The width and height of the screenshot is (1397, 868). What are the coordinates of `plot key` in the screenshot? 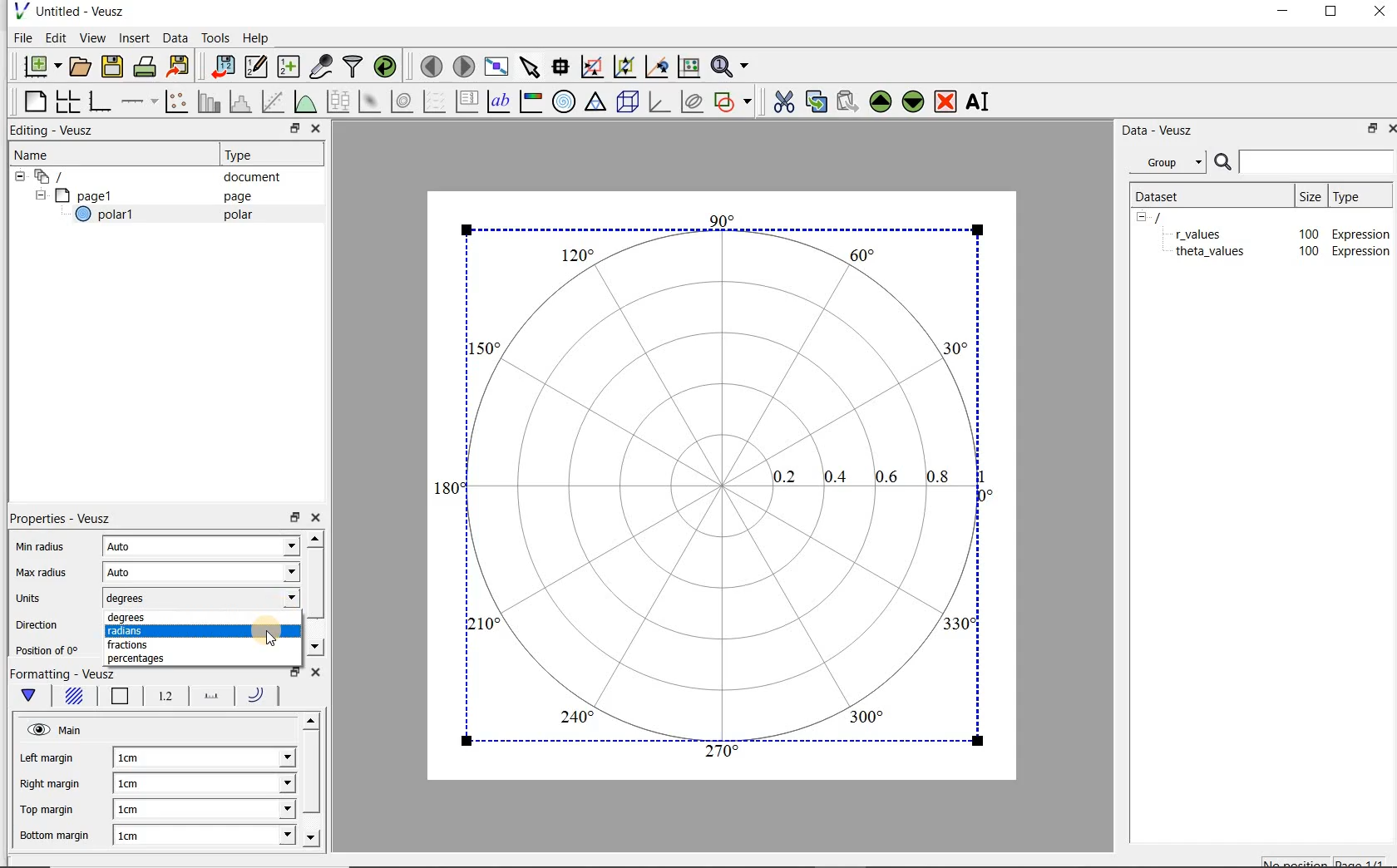 It's located at (468, 101).